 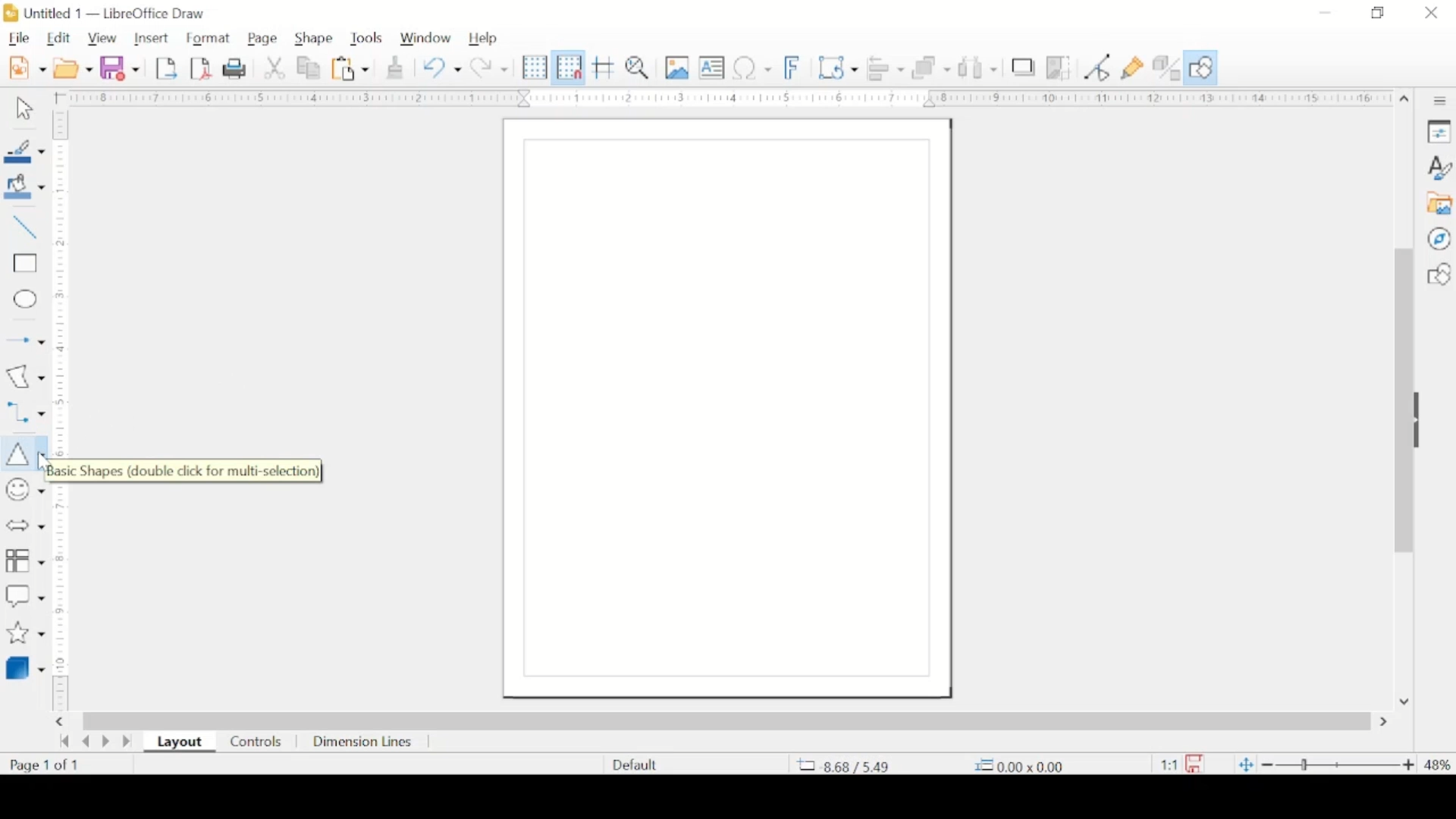 What do you see at coordinates (104, 37) in the screenshot?
I see `view` at bounding box center [104, 37].